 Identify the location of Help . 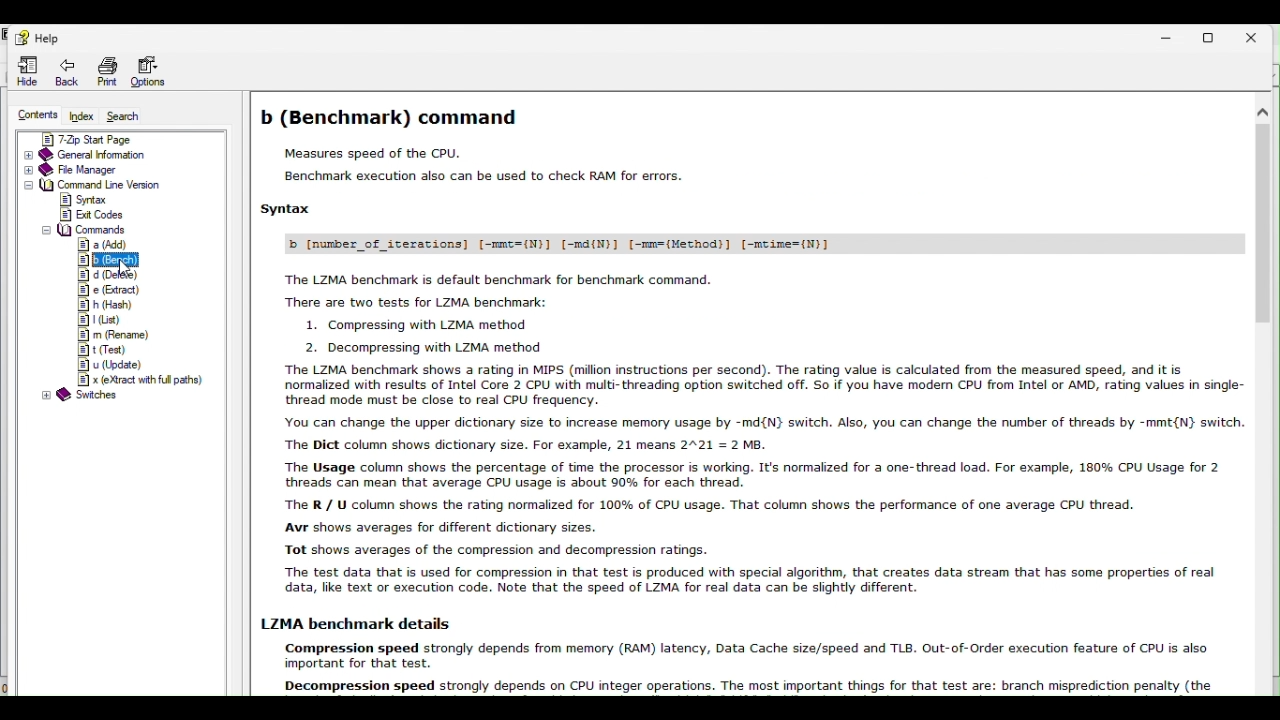
(36, 36).